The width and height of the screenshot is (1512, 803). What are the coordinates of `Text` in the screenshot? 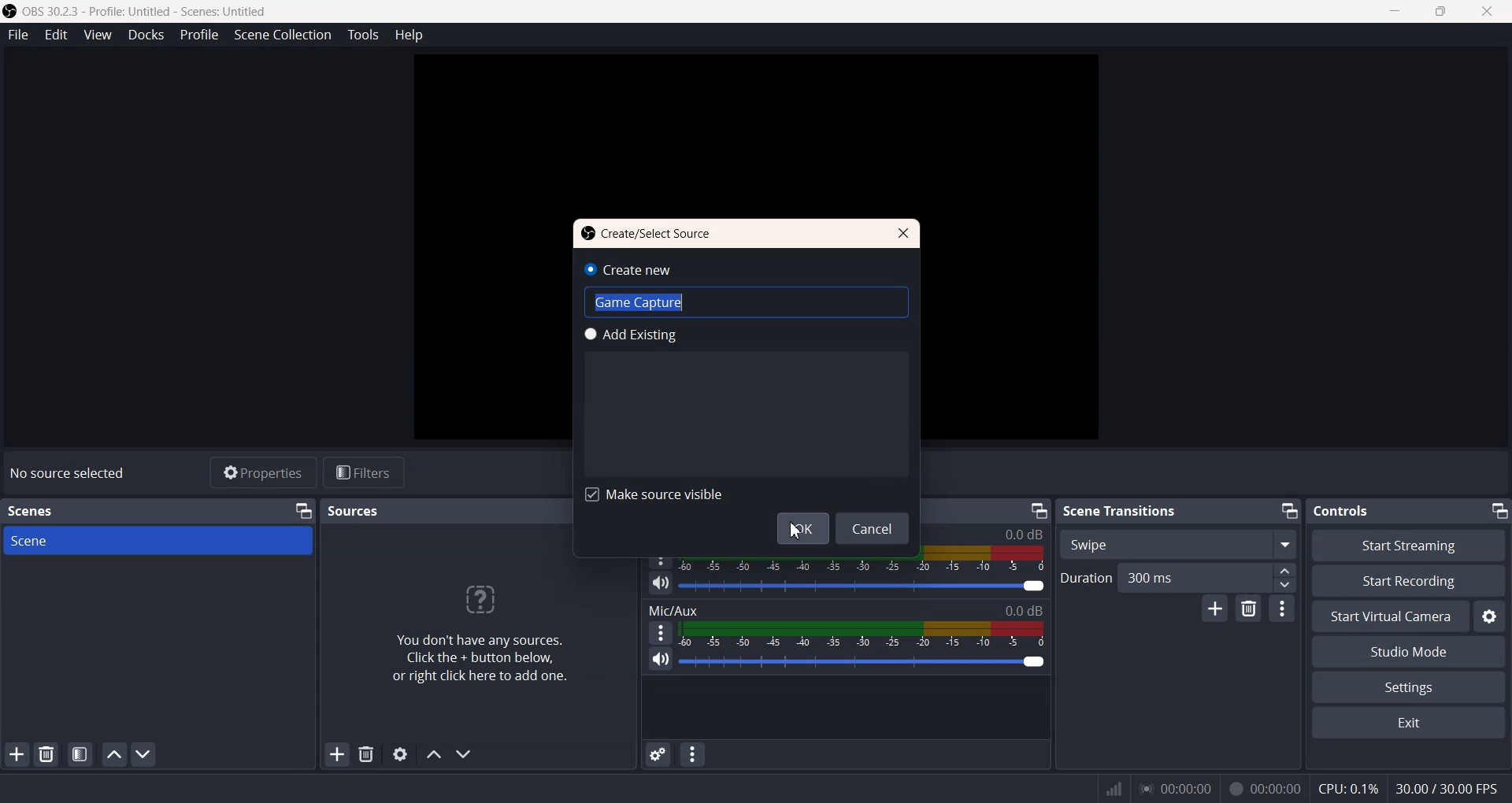 It's located at (746, 302).